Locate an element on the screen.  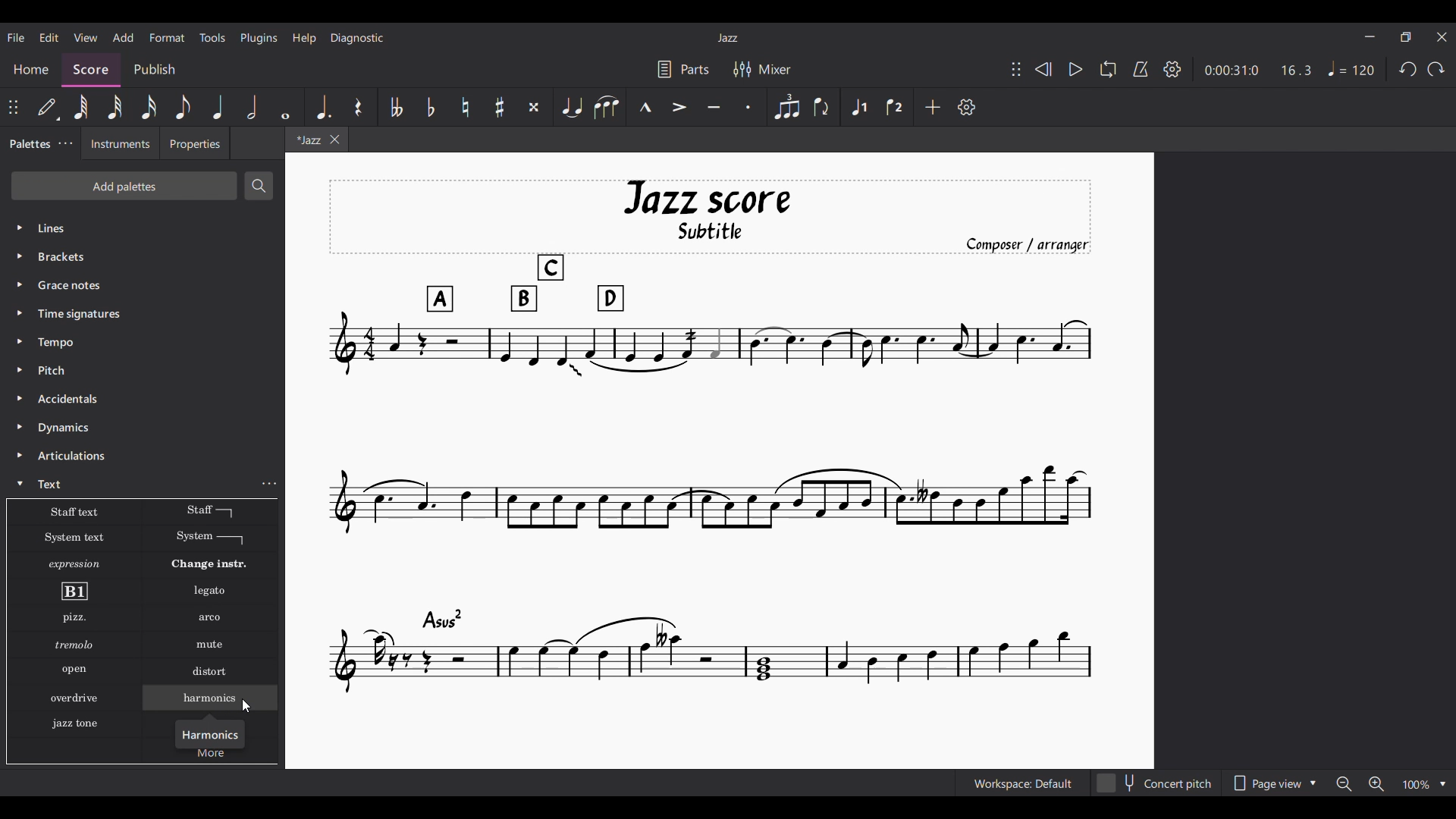
Palette options is located at coordinates (91, 228).